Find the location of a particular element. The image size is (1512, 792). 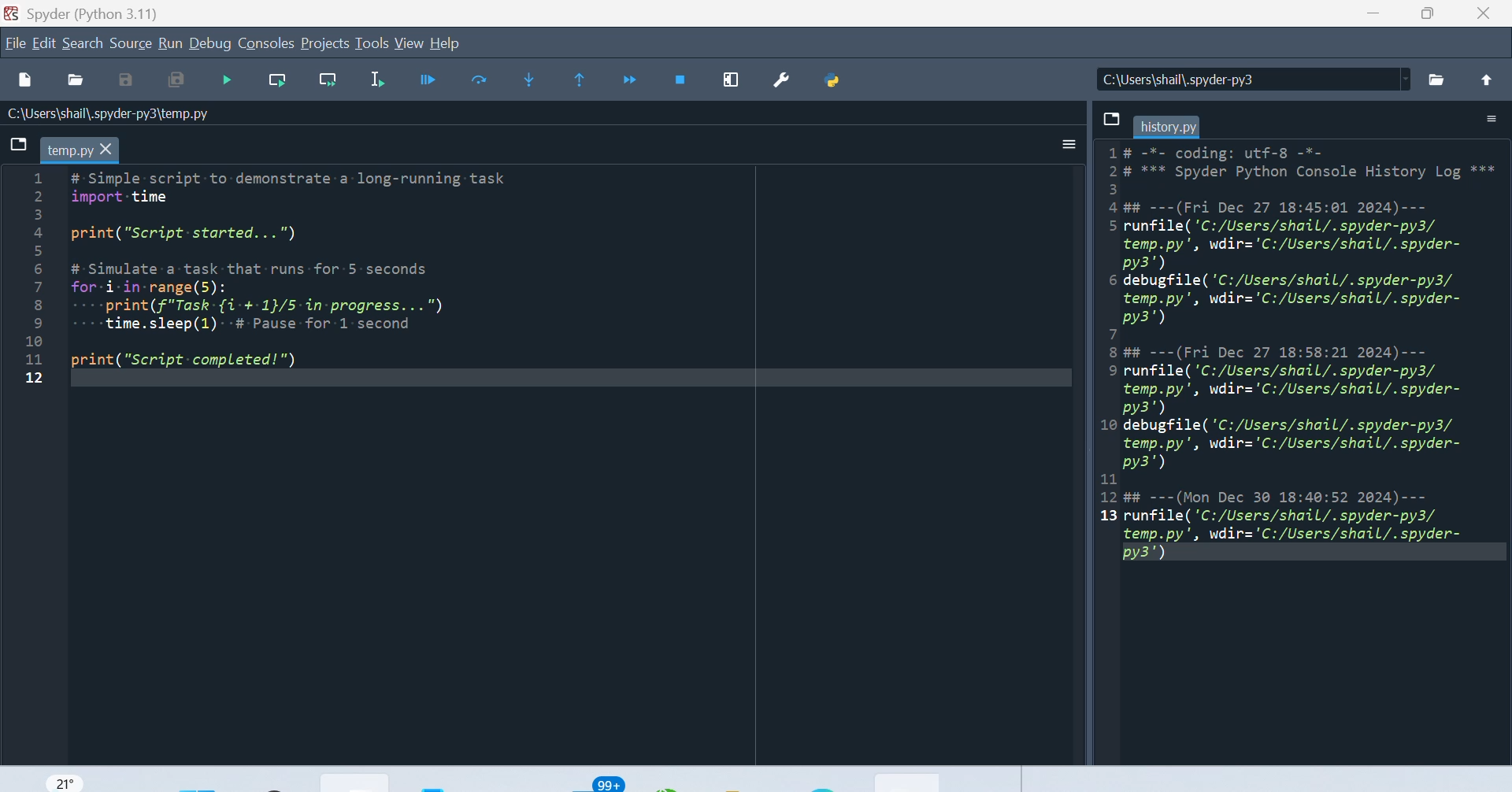

File is located at coordinates (14, 43).